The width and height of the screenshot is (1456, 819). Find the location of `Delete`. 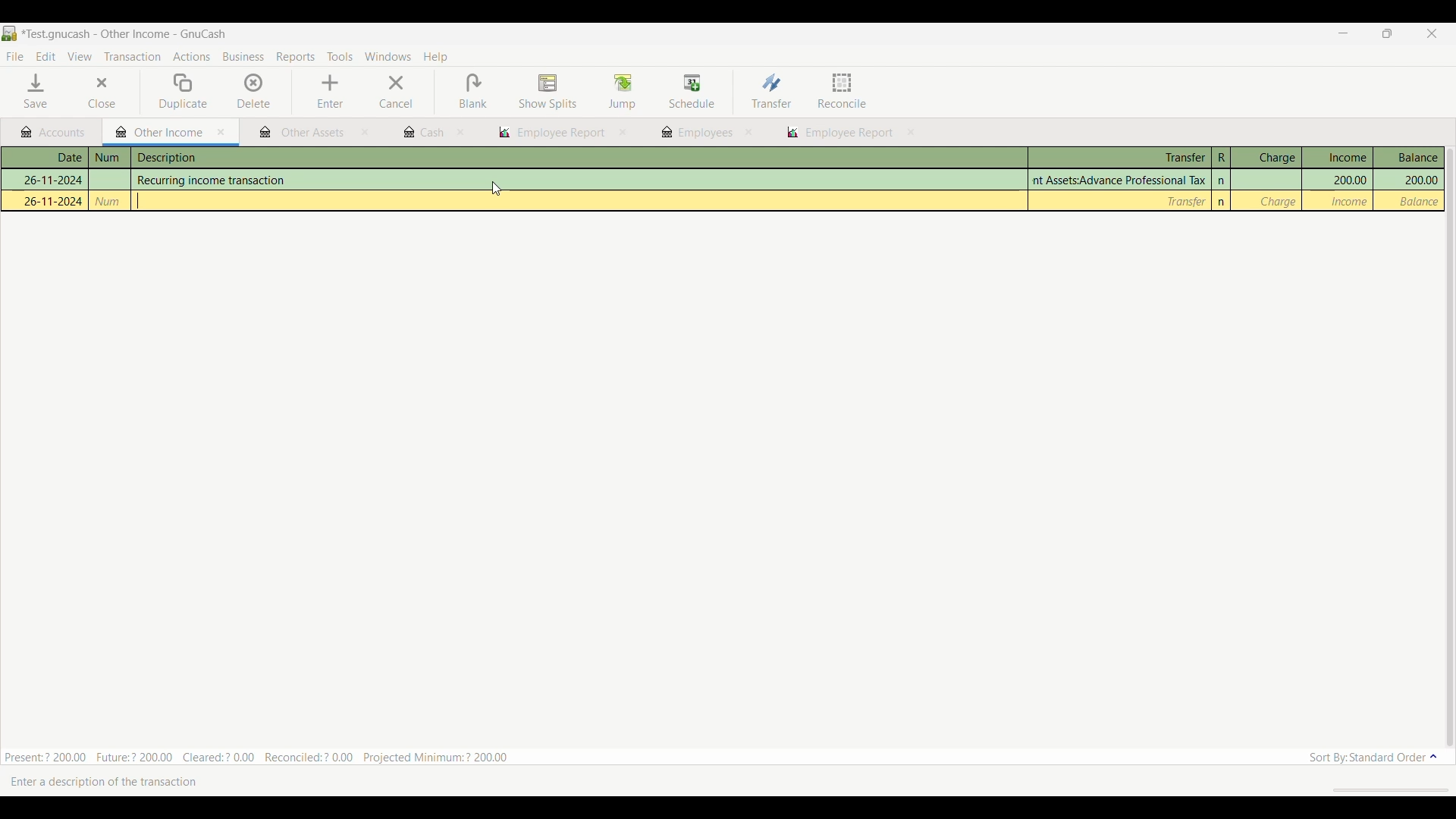

Delete is located at coordinates (254, 90).